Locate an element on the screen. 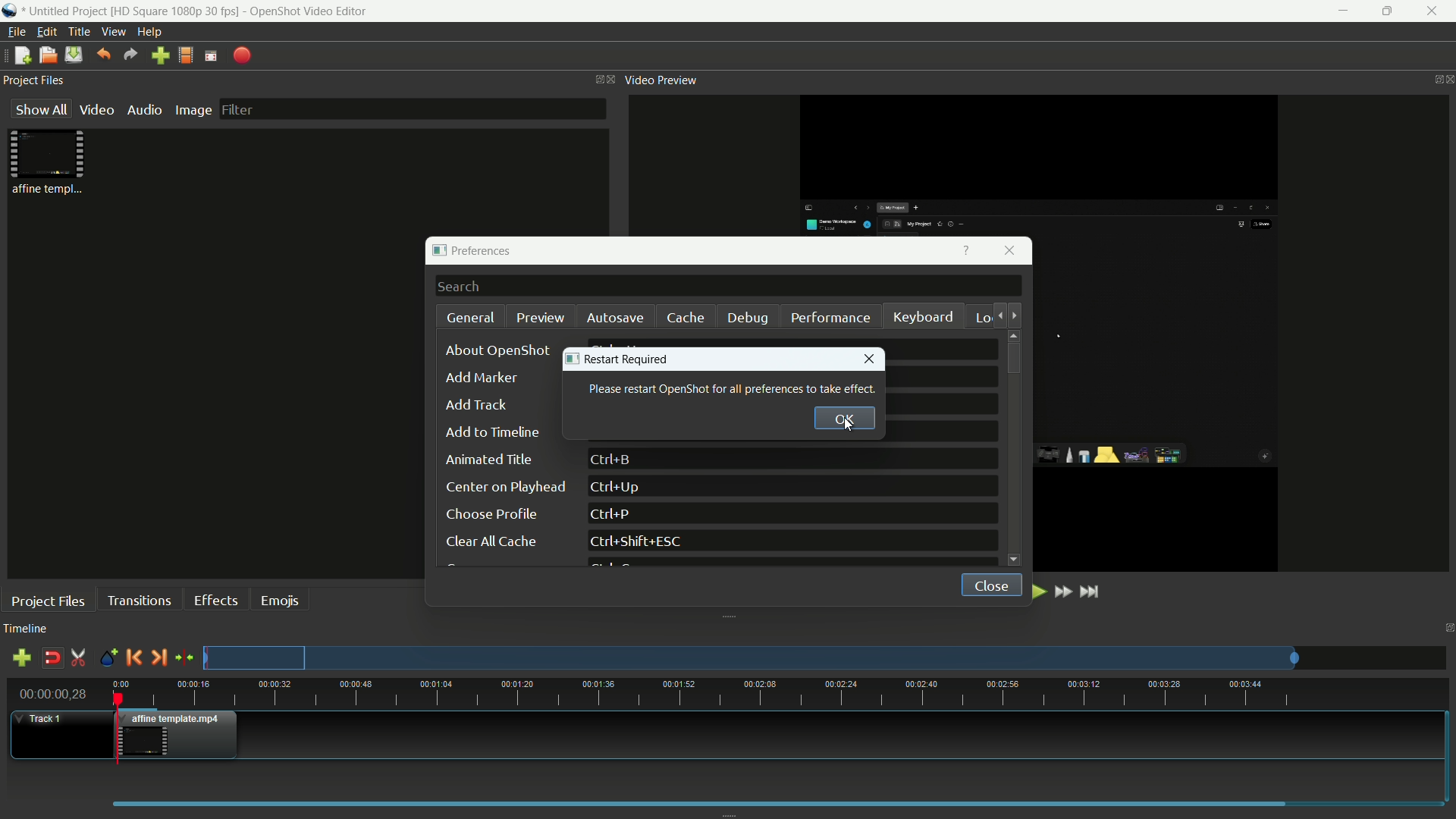 This screenshot has width=1456, height=819. title menu is located at coordinates (79, 31).